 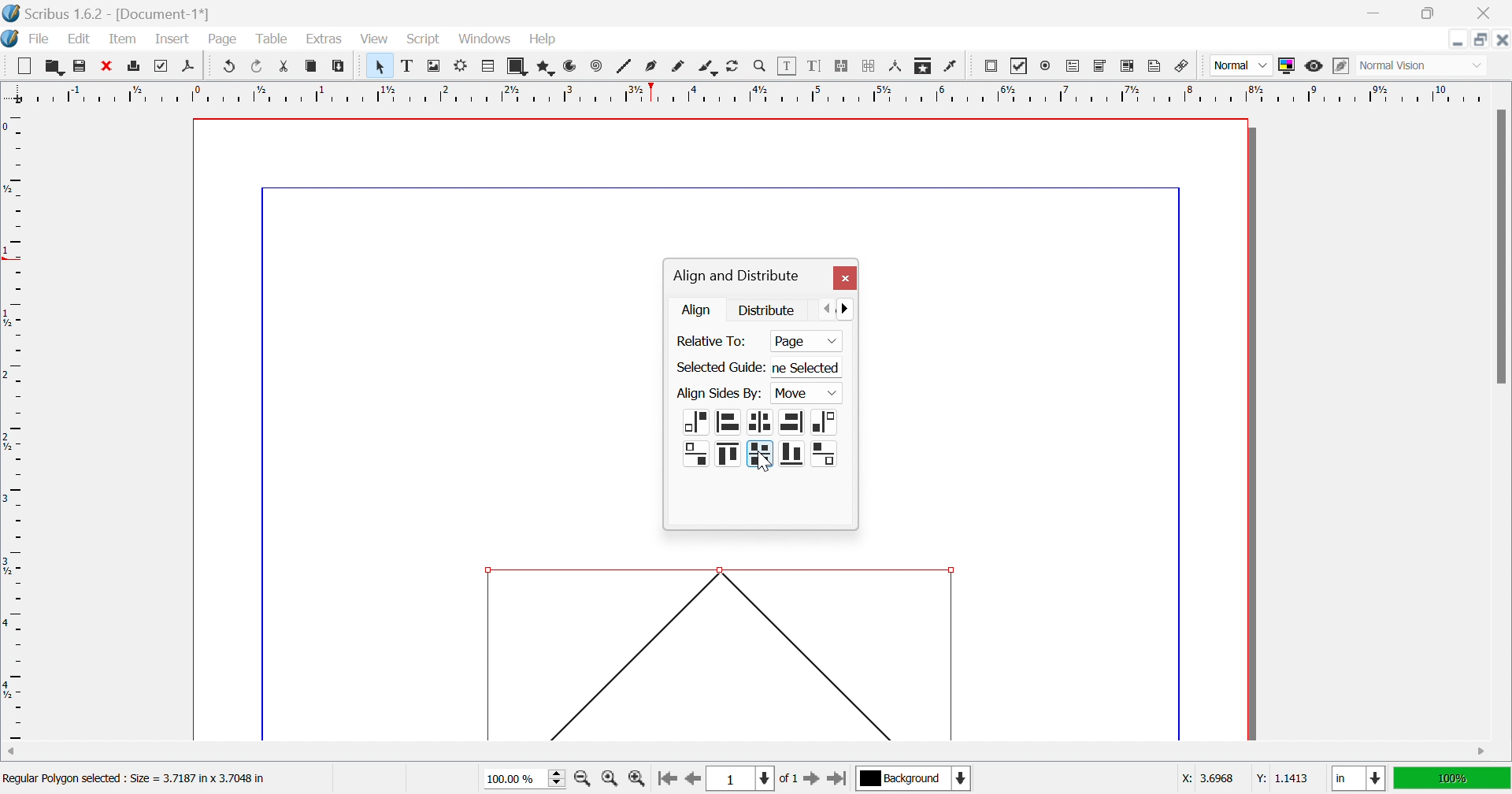 I want to click on Align Sides By:, so click(x=719, y=394).